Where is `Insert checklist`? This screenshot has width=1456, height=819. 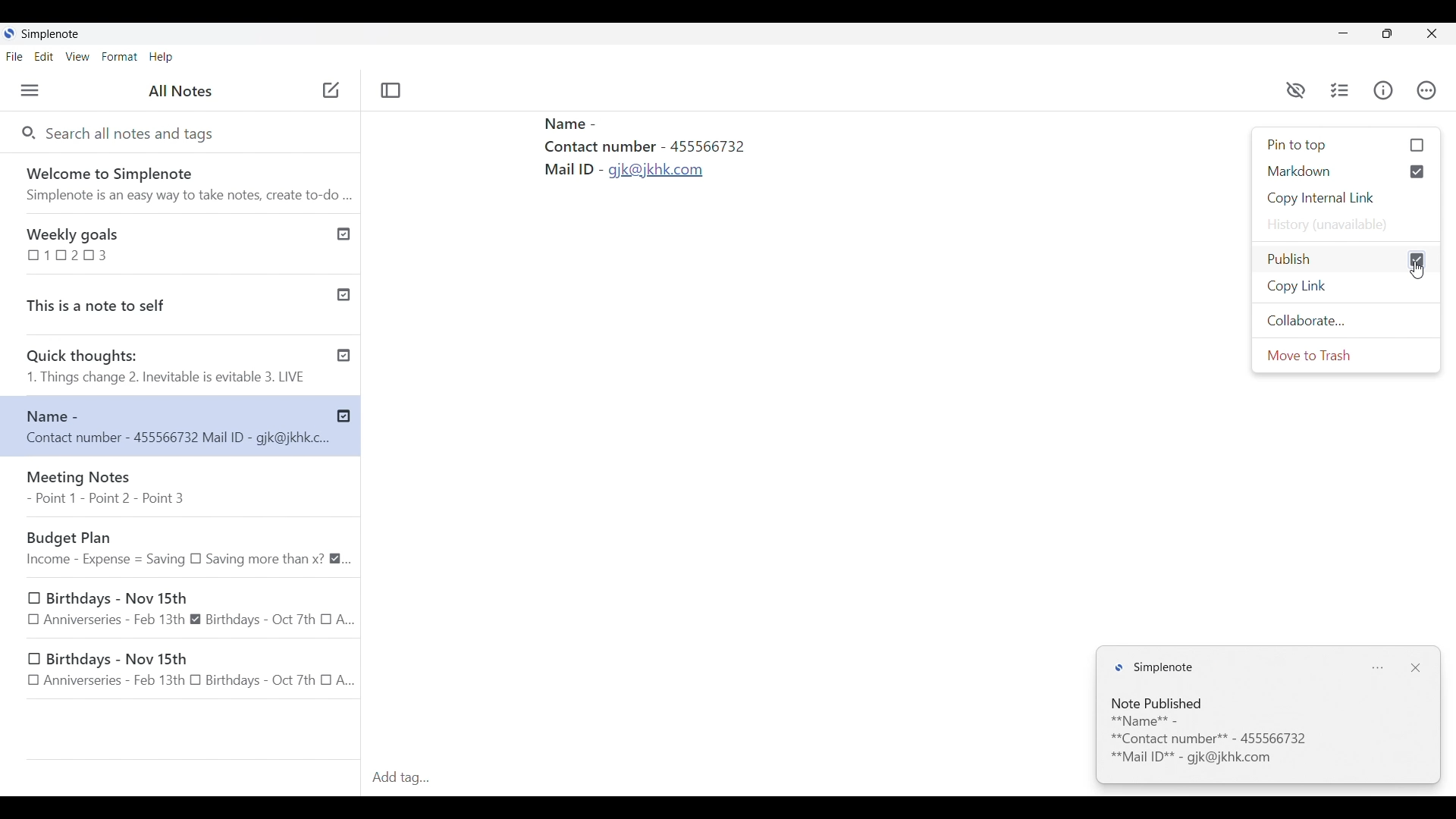 Insert checklist is located at coordinates (1341, 90).